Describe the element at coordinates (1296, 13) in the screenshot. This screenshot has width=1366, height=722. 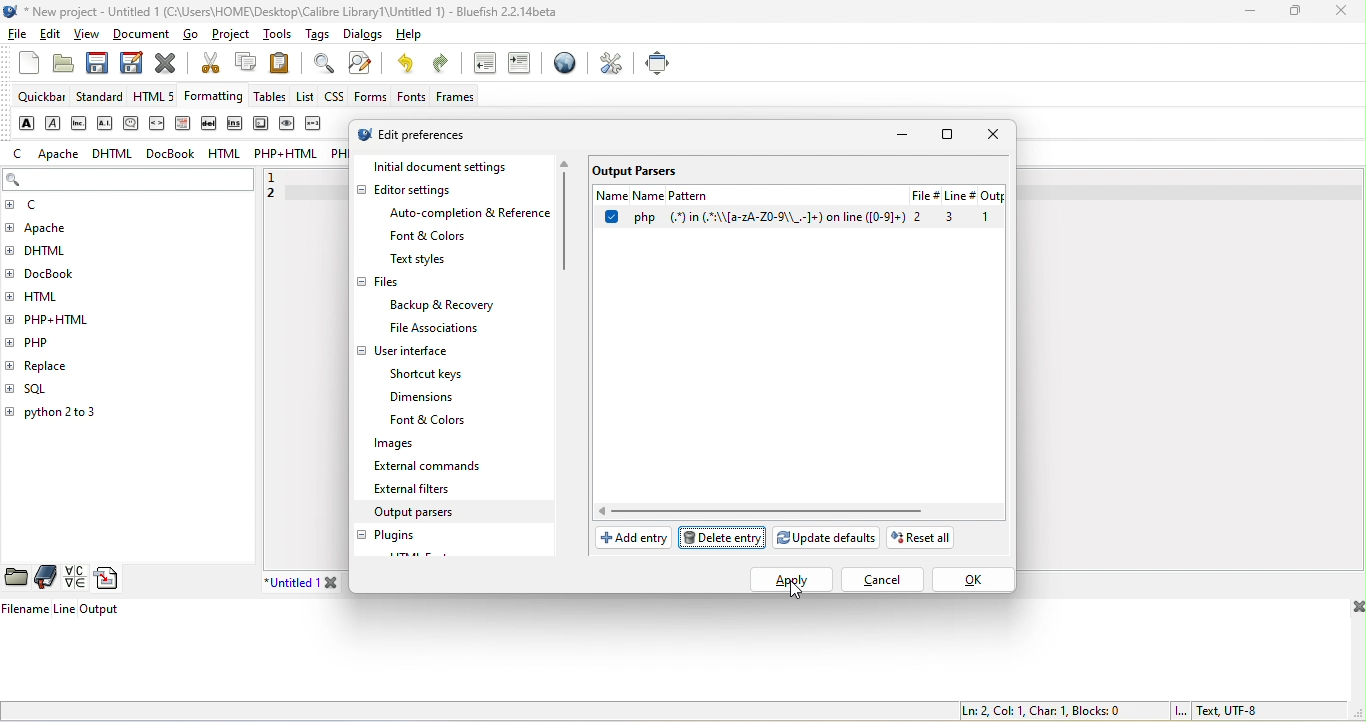
I see `maximize` at that location.